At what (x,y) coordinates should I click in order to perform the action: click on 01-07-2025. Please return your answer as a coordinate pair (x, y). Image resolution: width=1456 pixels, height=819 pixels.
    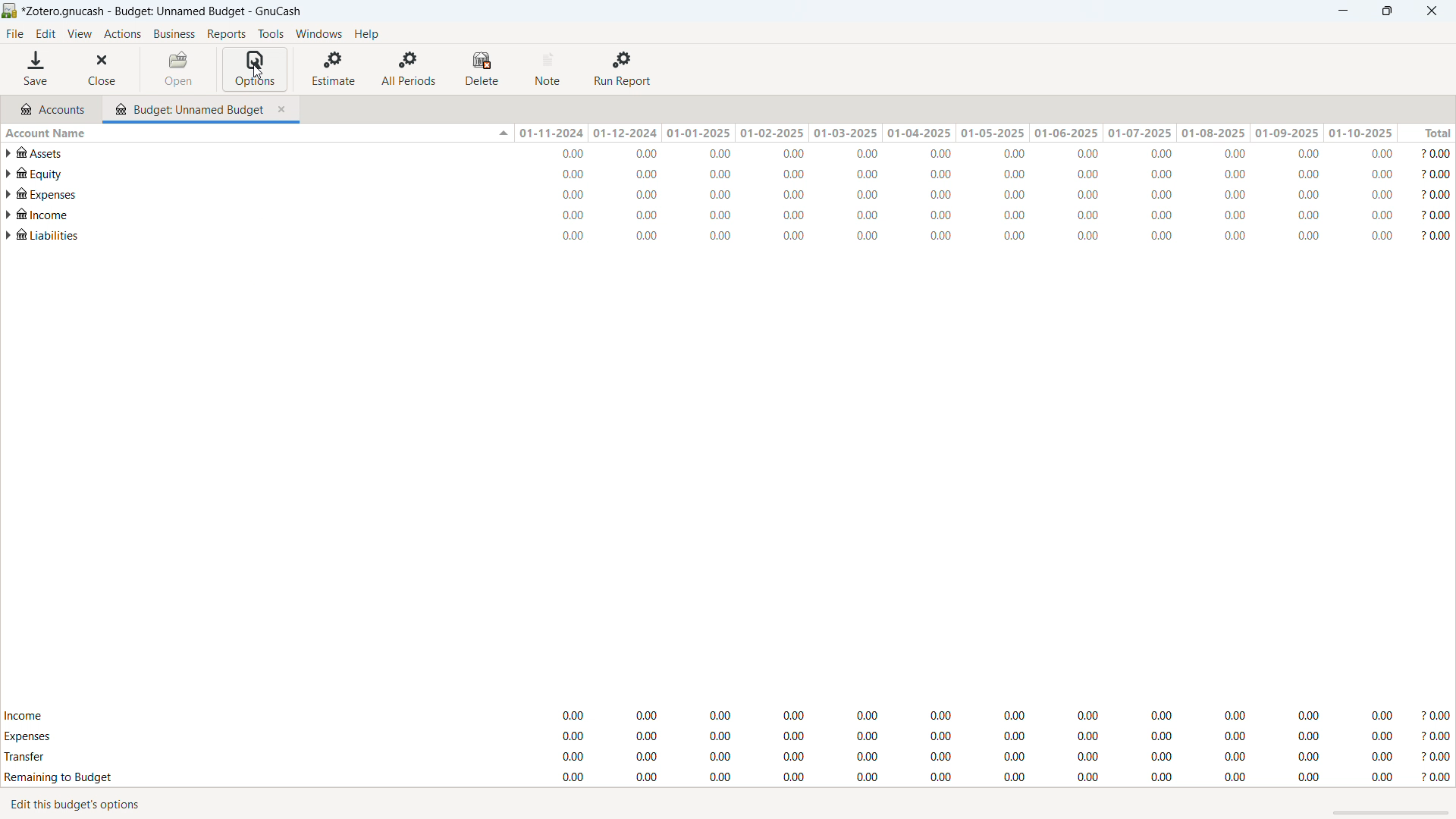
    Looking at the image, I should click on (1140, 133).